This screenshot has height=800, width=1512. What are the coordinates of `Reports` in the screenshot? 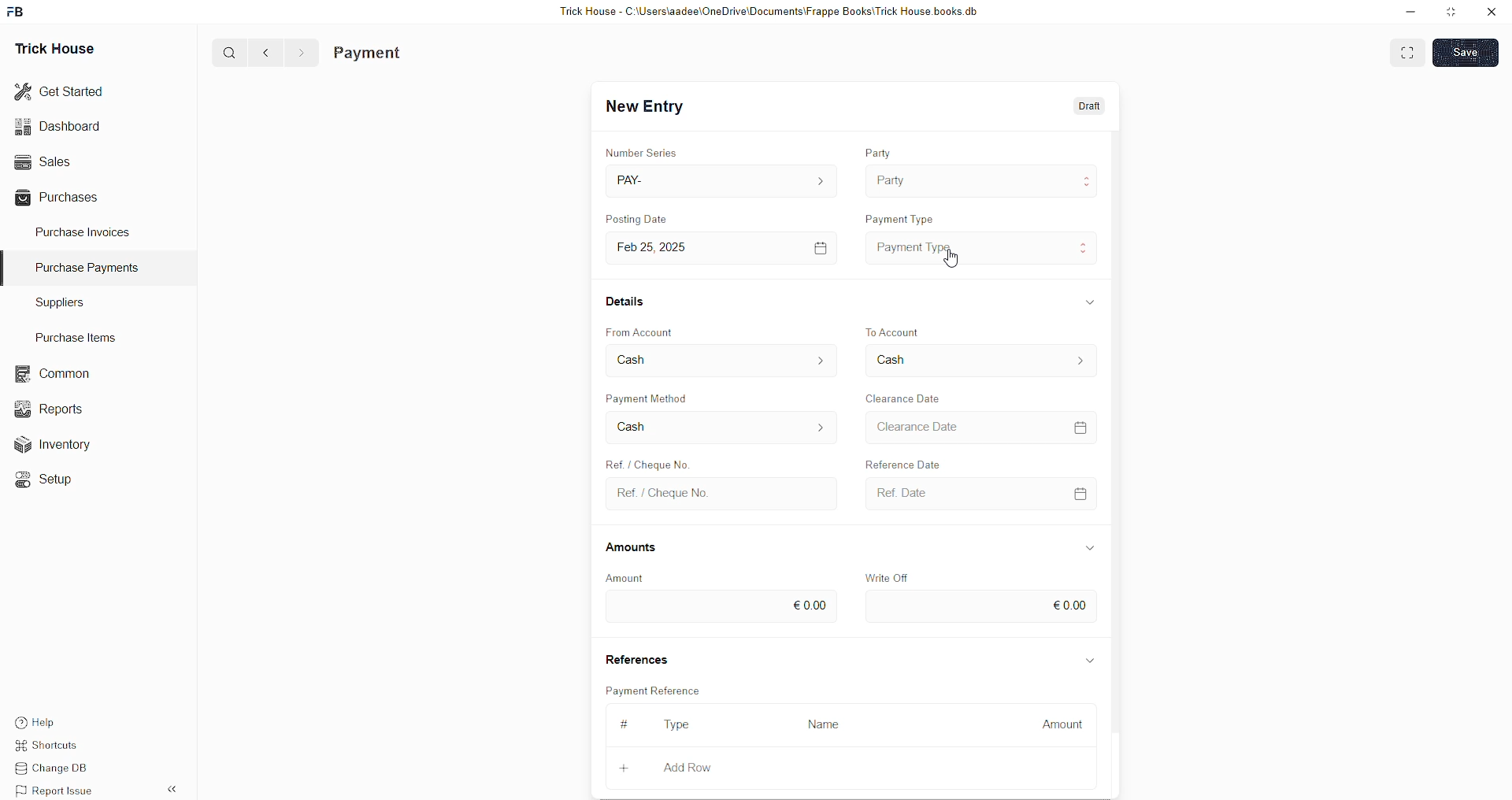 It's located at (54, 407).